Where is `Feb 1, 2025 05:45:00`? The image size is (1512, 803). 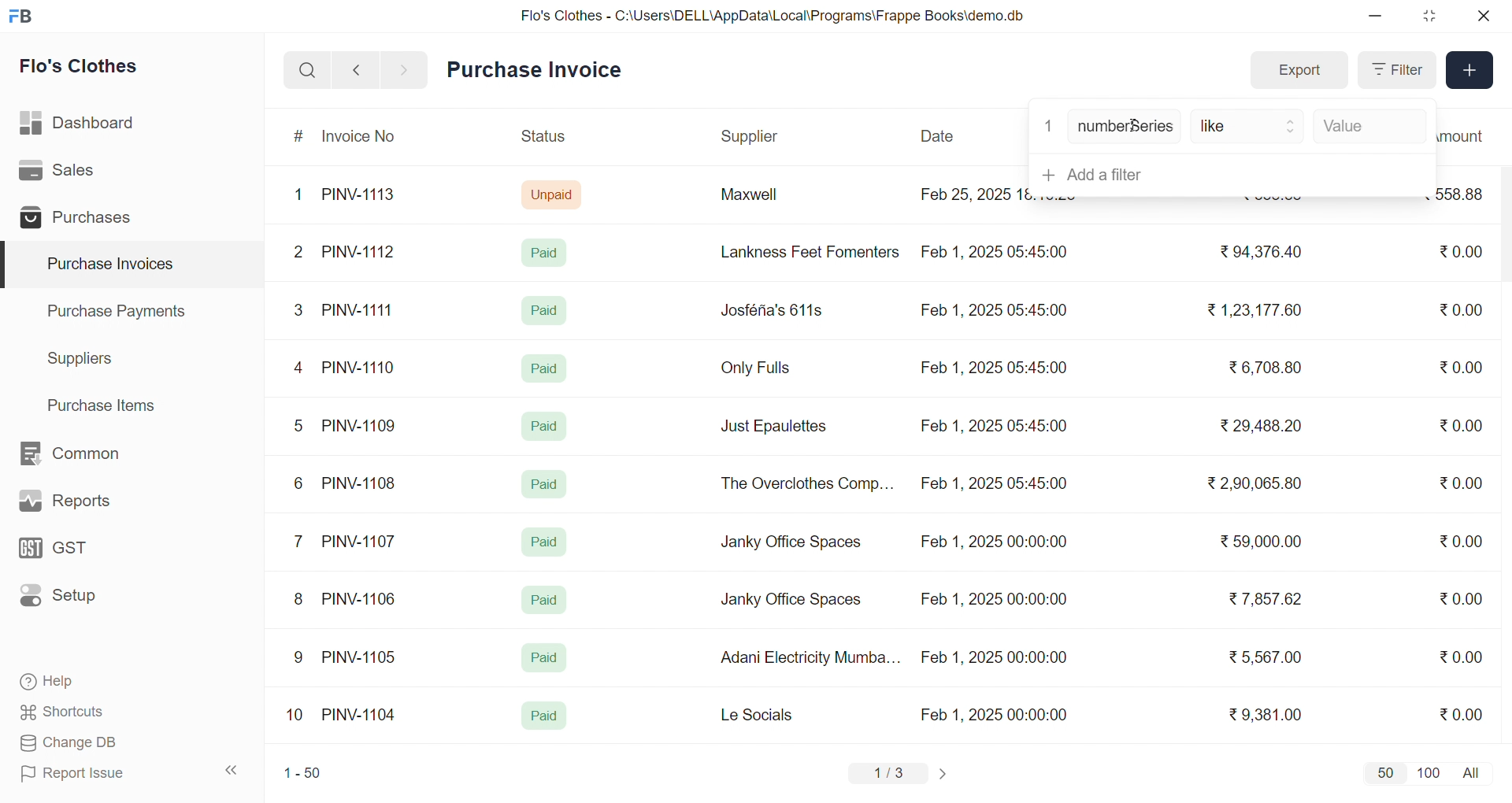 Feb 1, 2025 05:45:00 is located at coordinates (996, 368).